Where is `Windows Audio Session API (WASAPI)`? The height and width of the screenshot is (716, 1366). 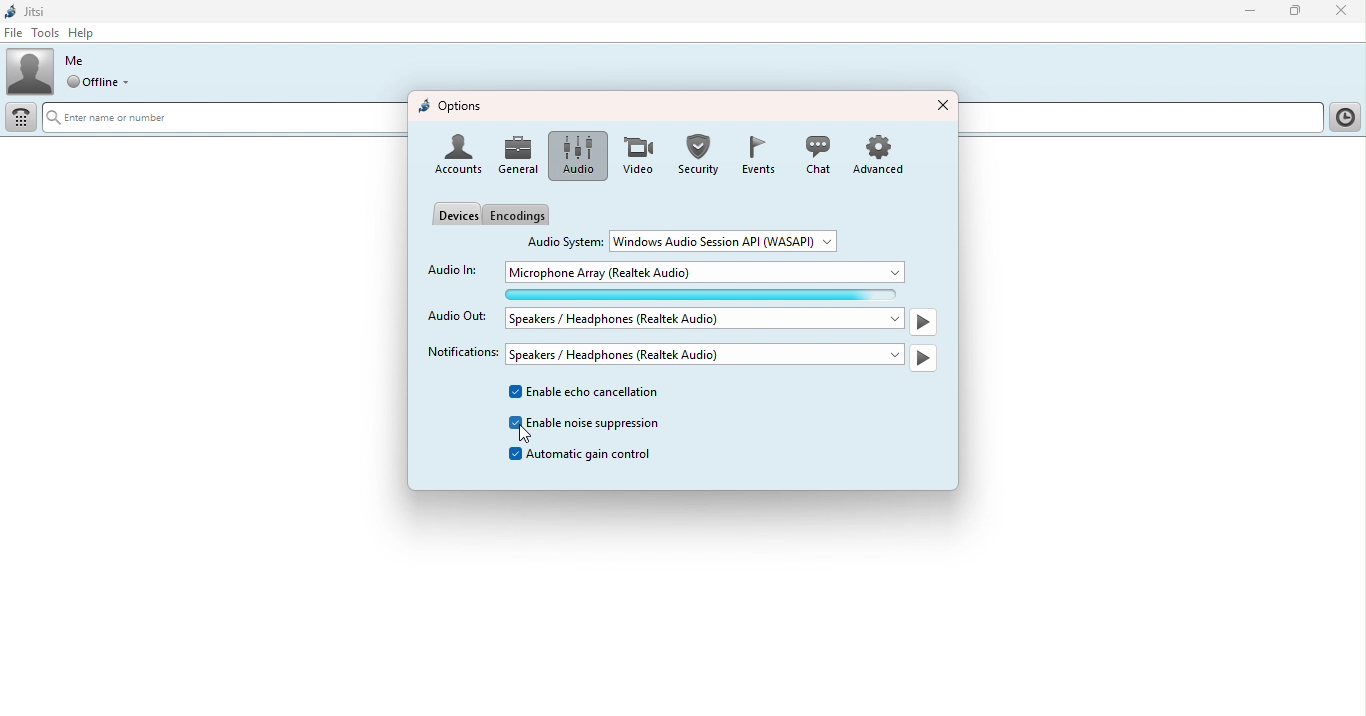
Windows Audio Session API (WASAPI) is located at coordinates (725, 241).